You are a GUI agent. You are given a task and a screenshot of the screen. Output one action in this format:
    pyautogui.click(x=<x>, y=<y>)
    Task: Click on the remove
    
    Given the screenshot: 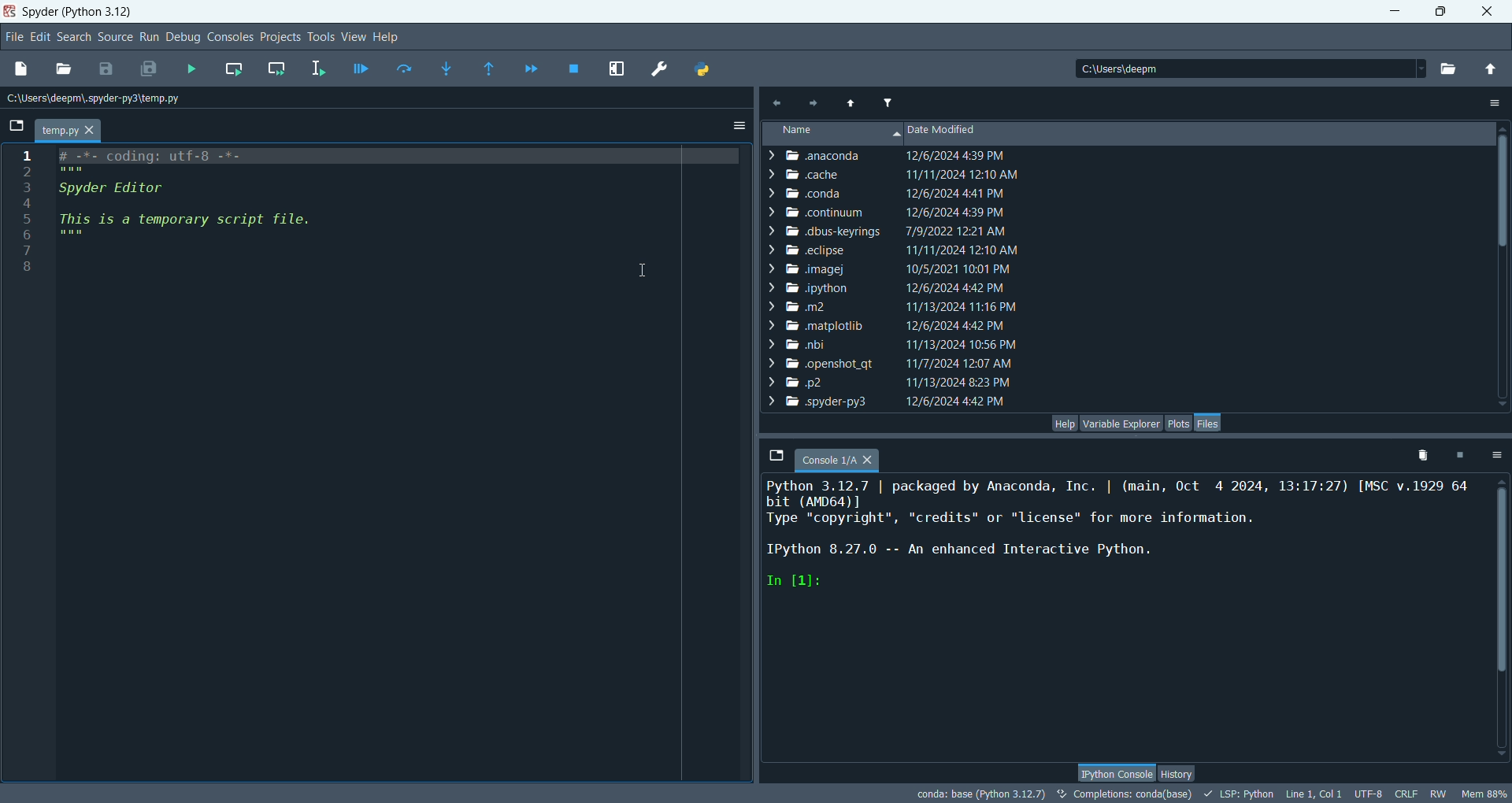 What is the action you would take?
    pyautogui.click(x=1419, y=454)
    